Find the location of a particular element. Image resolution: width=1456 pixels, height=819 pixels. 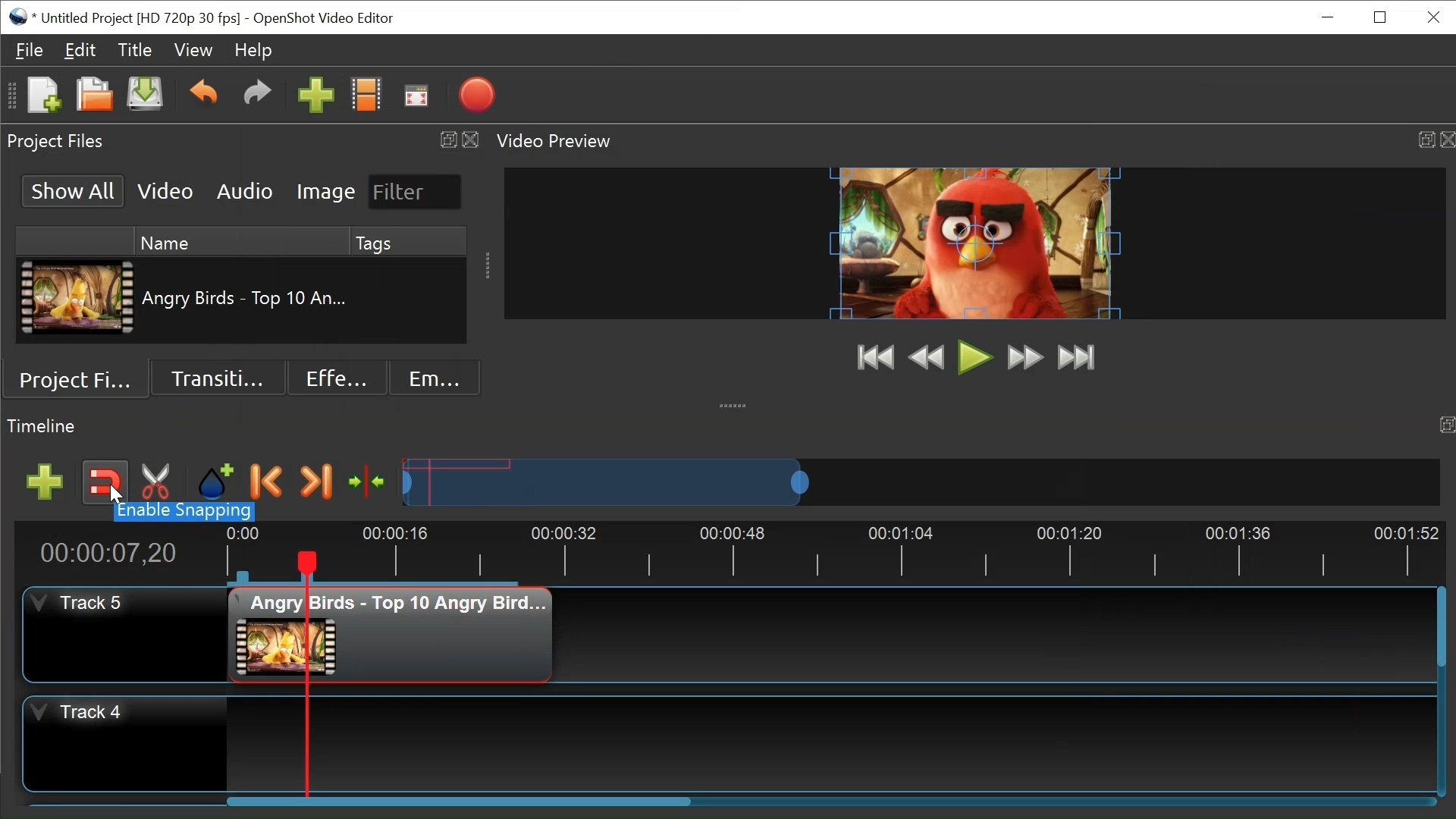

File Name is located at coordinates (249, 298).